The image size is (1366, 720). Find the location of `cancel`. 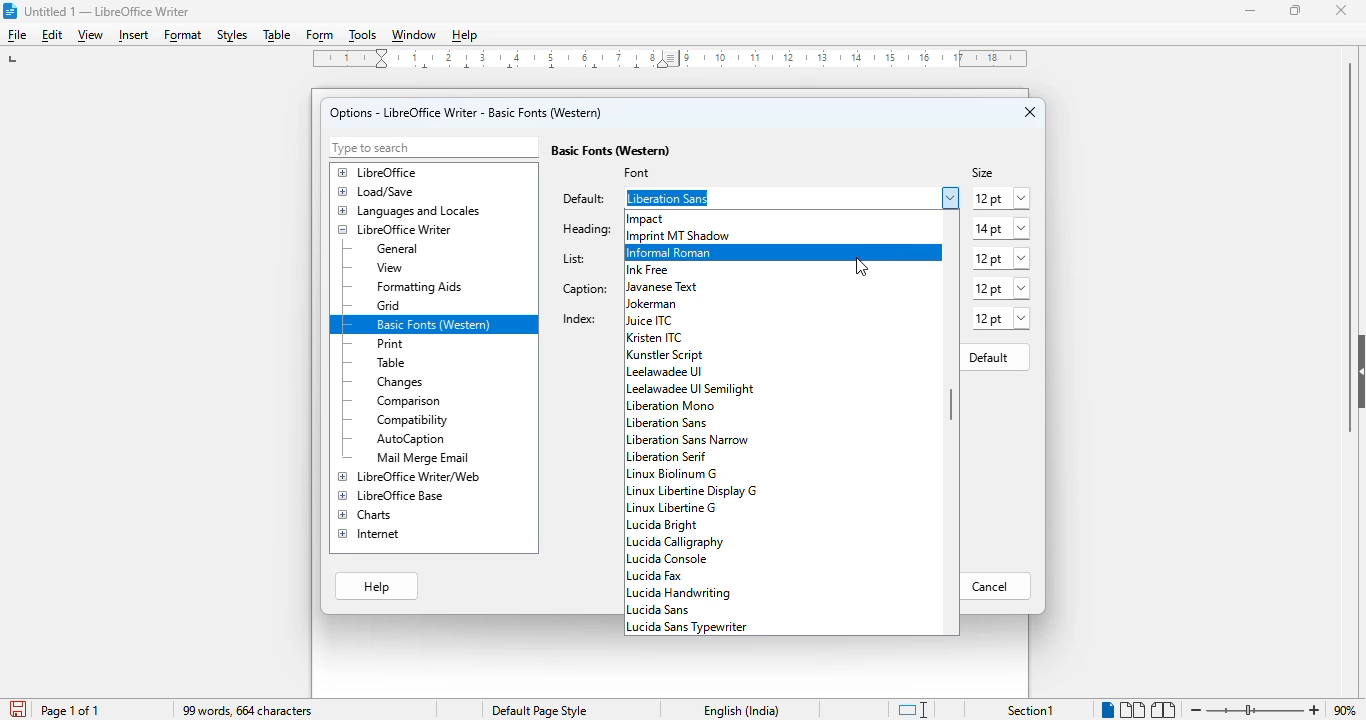

cancel is located at coordinates (995, 586).